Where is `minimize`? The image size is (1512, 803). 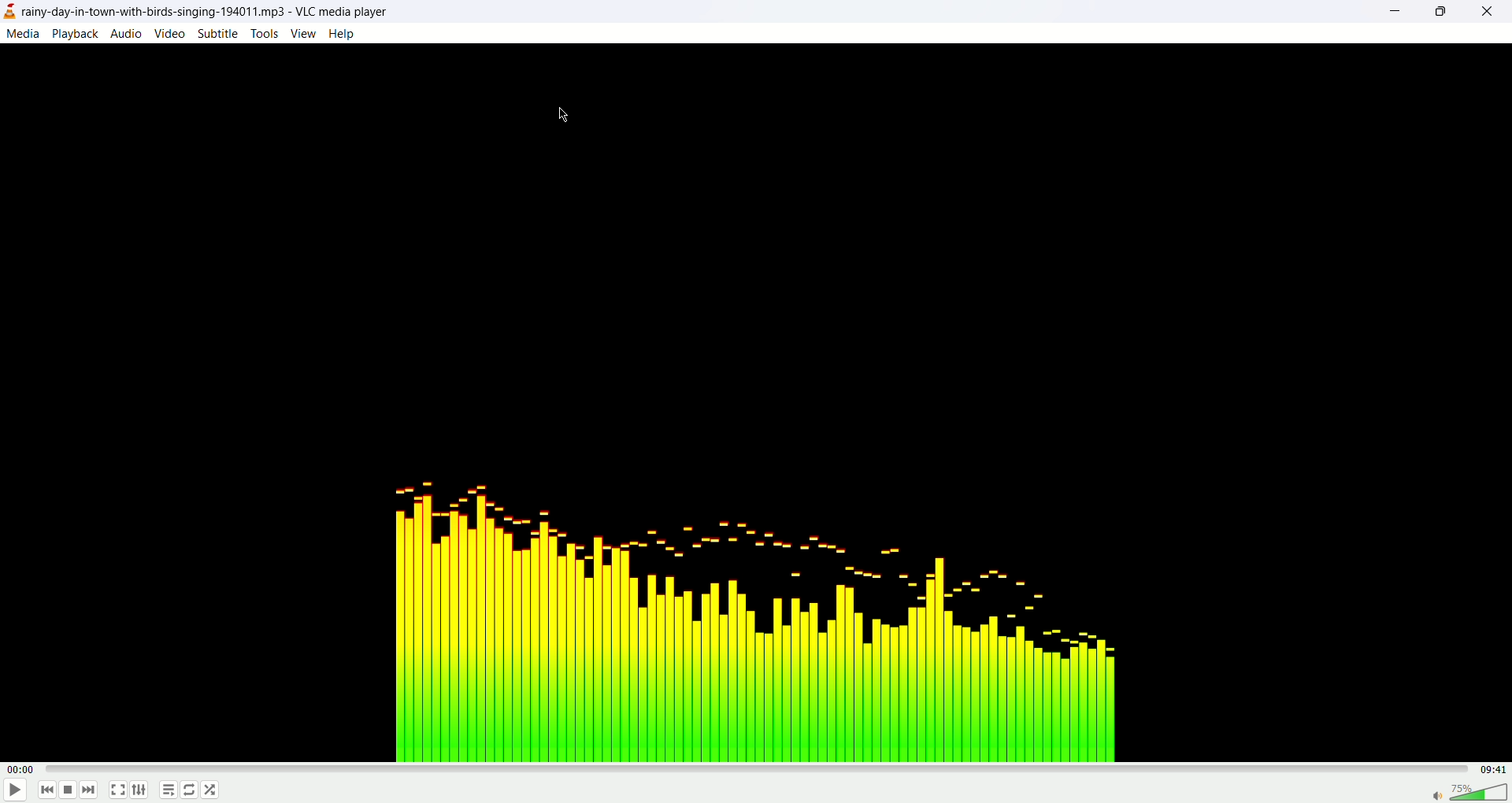 minimize is located at coordinates (1393, 13).